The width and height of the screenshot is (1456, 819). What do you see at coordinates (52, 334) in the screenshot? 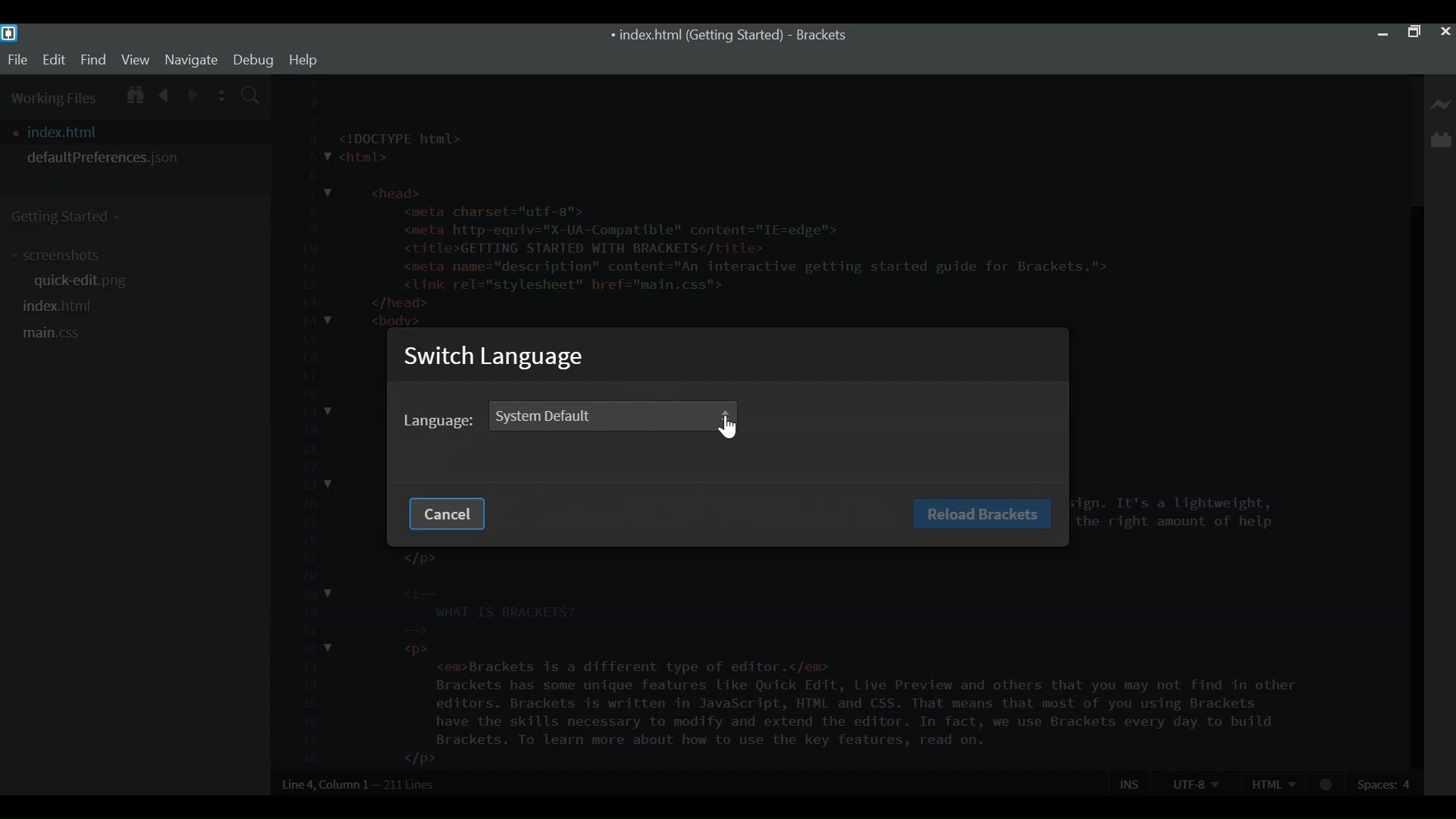
I see `main.css` at bounding box center [52, 334].